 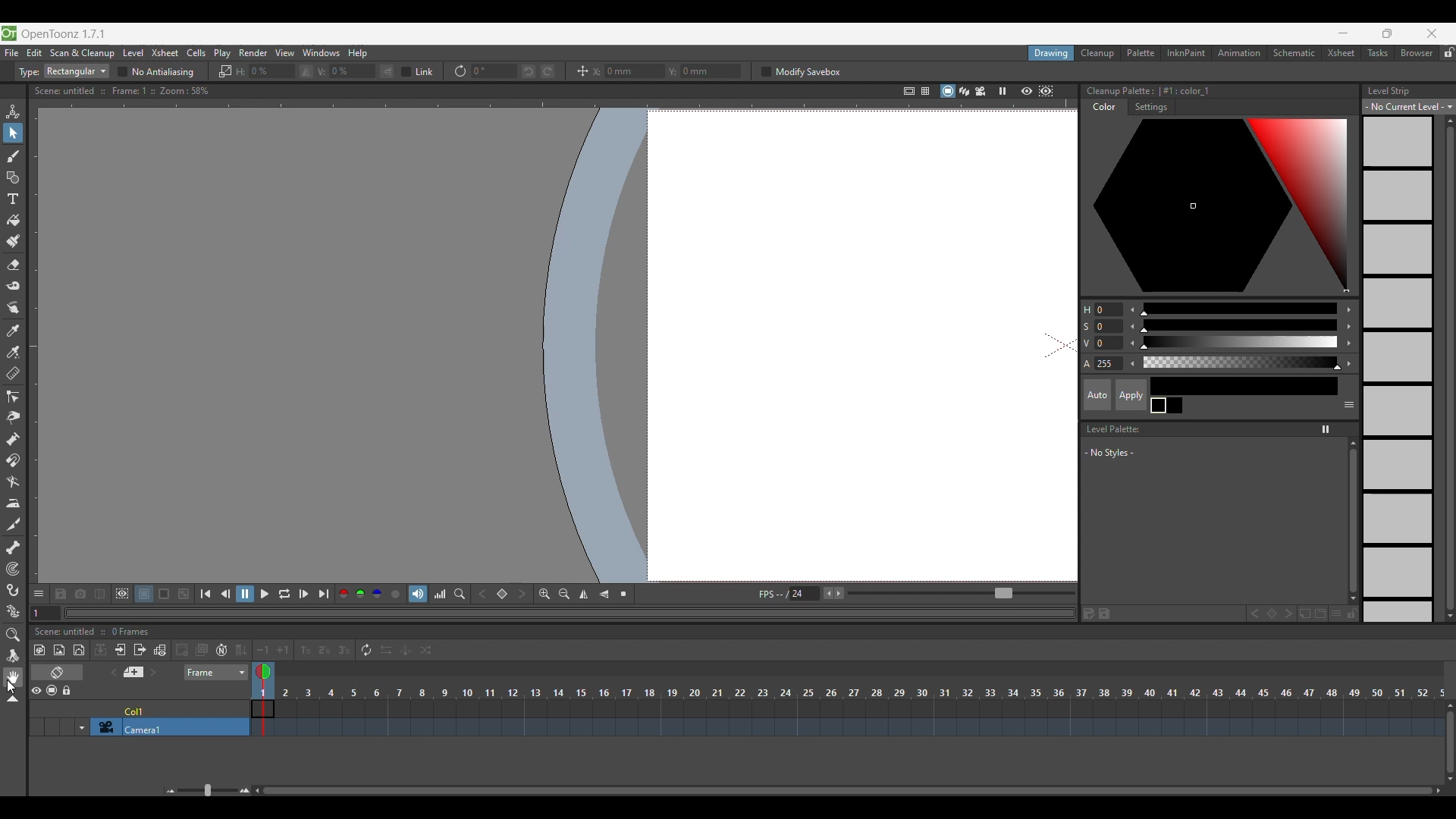 I want to click on Reframe on 3's, so click(x=344, y=650).